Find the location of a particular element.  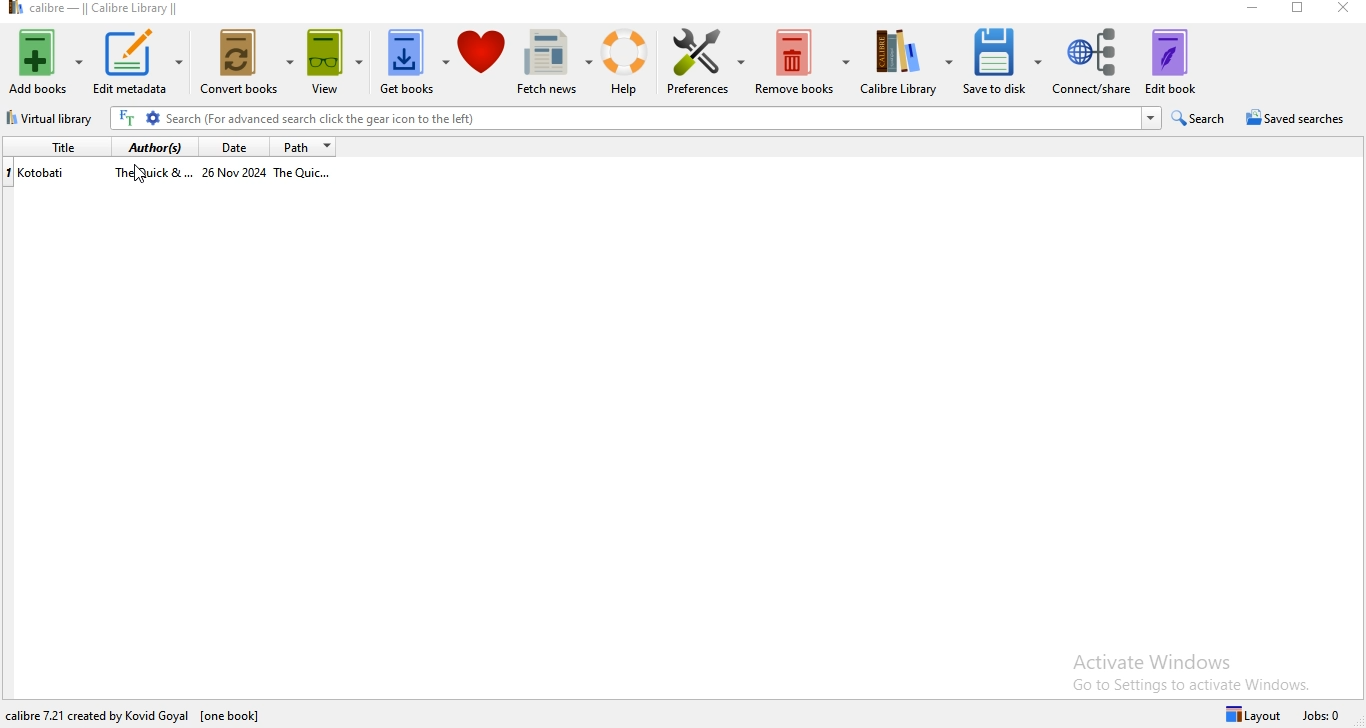

path is located at coordinates (306, 147).